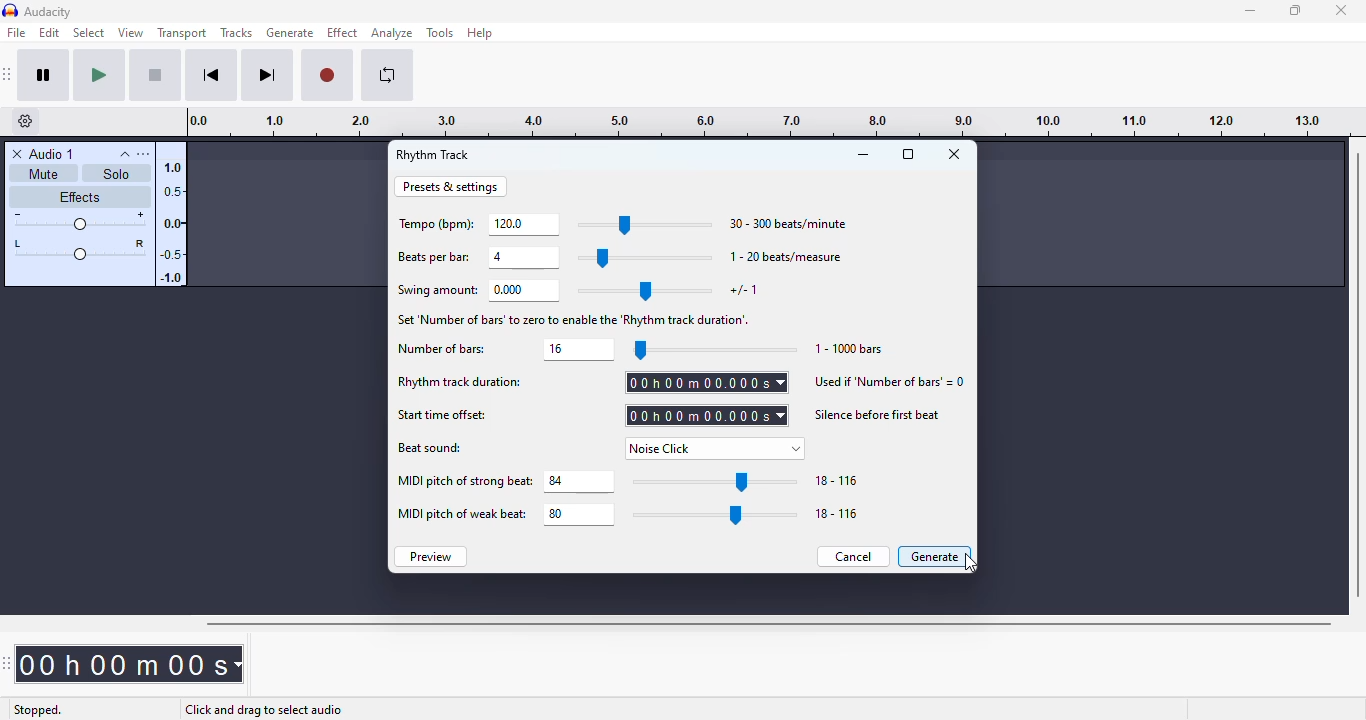 This screenshot has height=720, width=1366. What do you see at coordinates (81, 220) in the screenshot?
I see `volume` at bounding box center [81, 220].